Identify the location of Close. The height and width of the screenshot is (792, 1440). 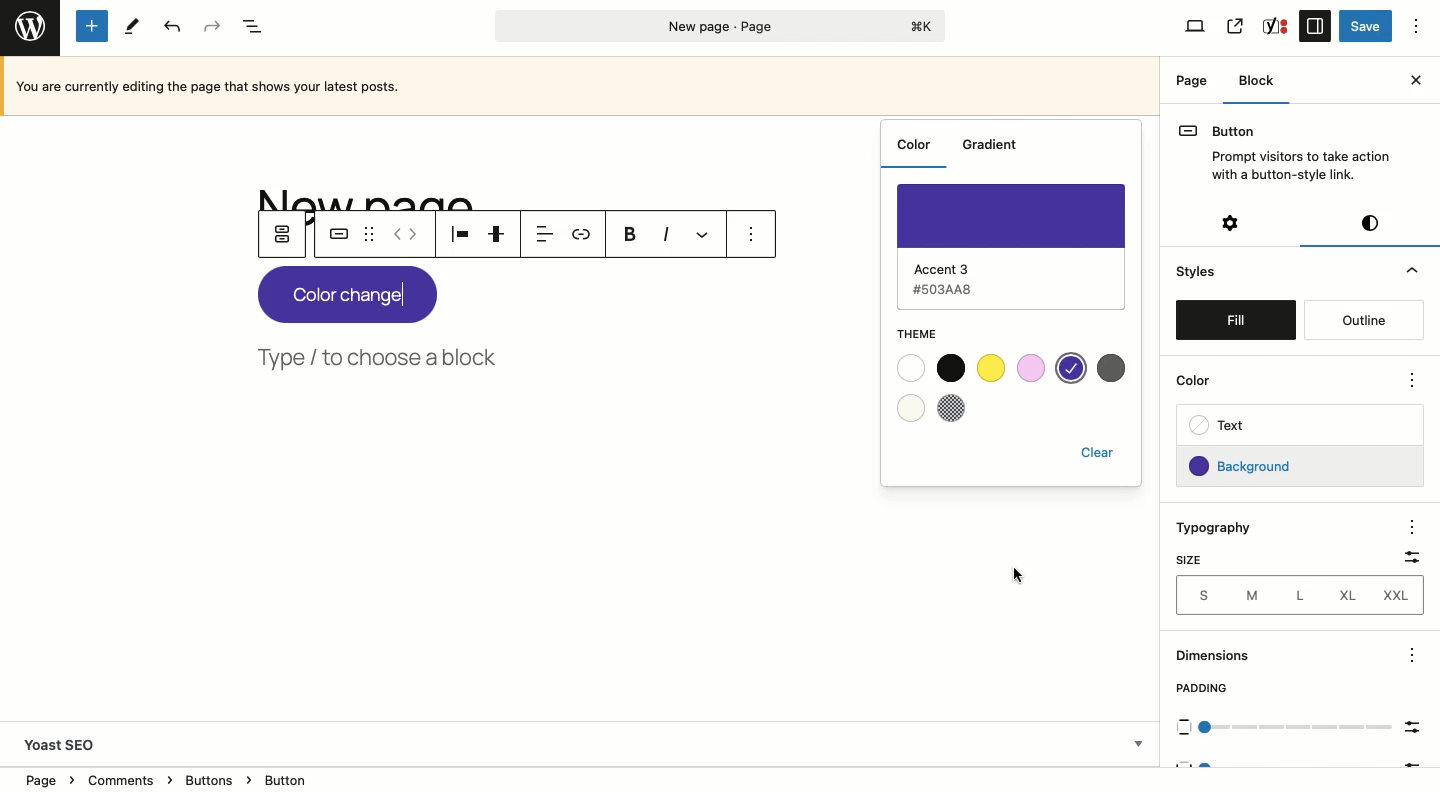
(1414, 80).